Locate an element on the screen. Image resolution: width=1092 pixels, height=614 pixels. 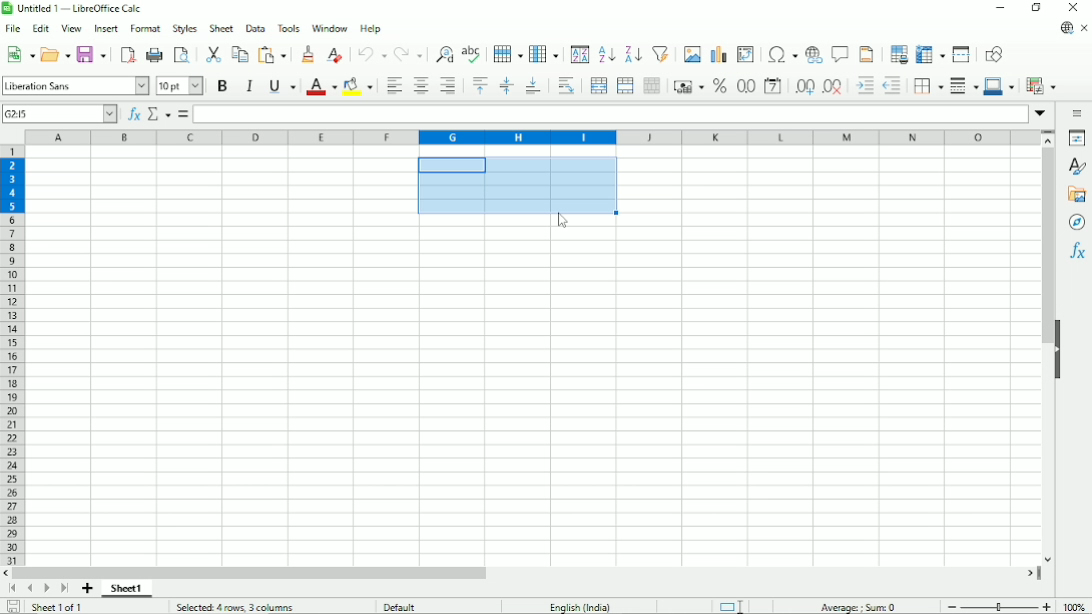
Gallery is located at coordinates (1077, 195).